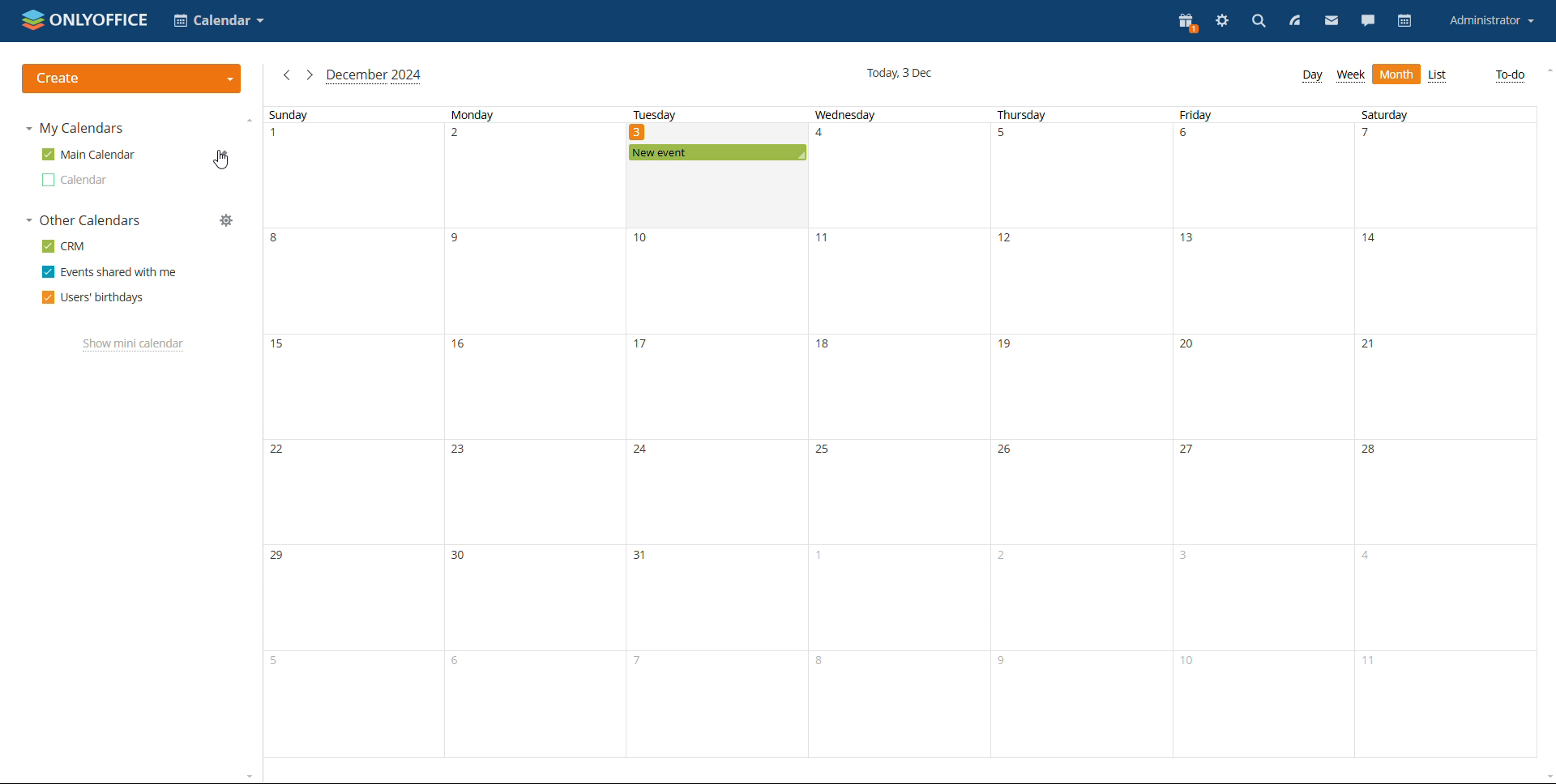 This screenshot has width=1556, height=784. I want to click on date, so click(898, 281).